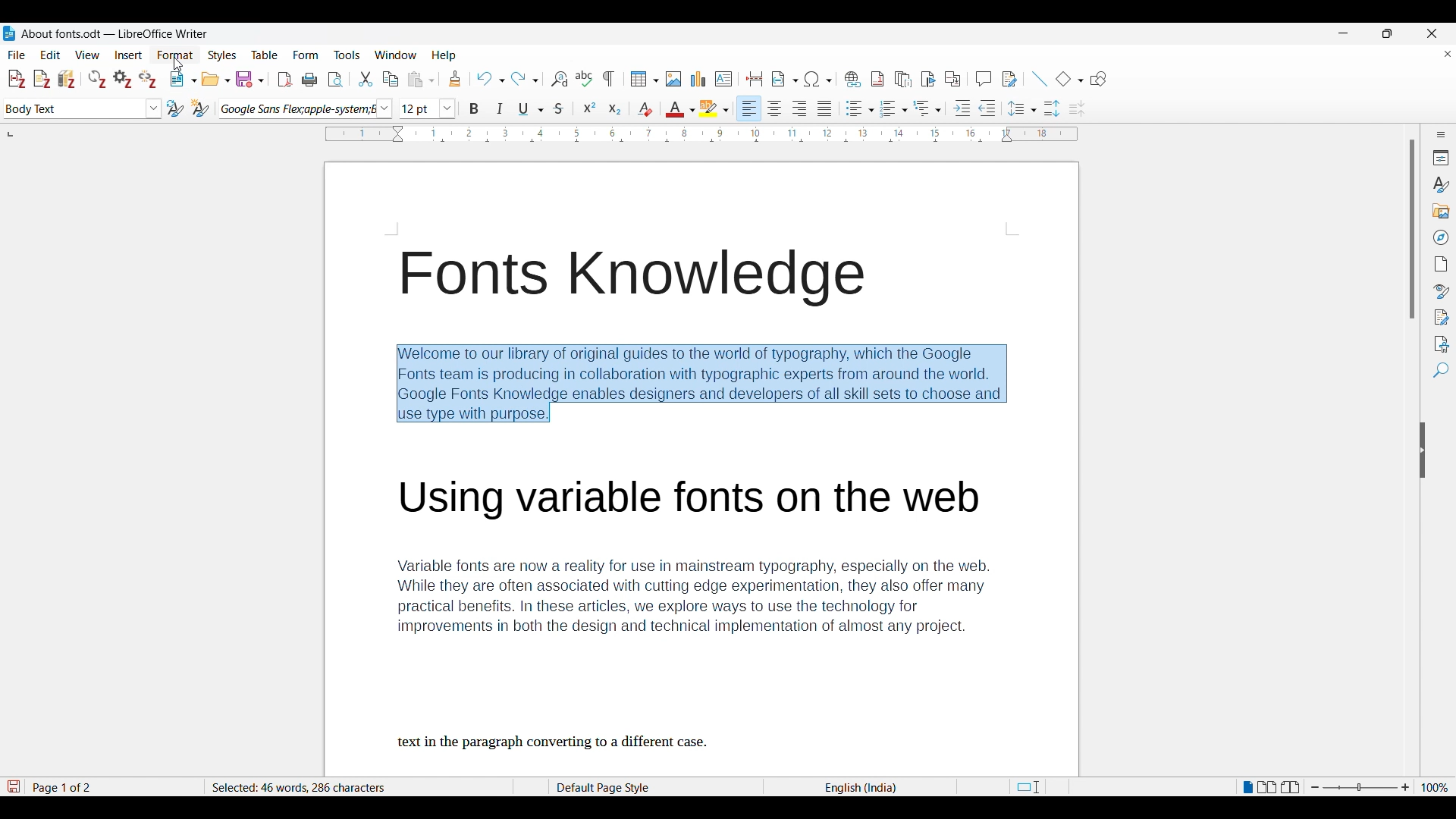 The height and width of the screenshot is (819, 1456). Describe the element at coordinates (863, 787) in the screenshot. I see `Current language` at that location.